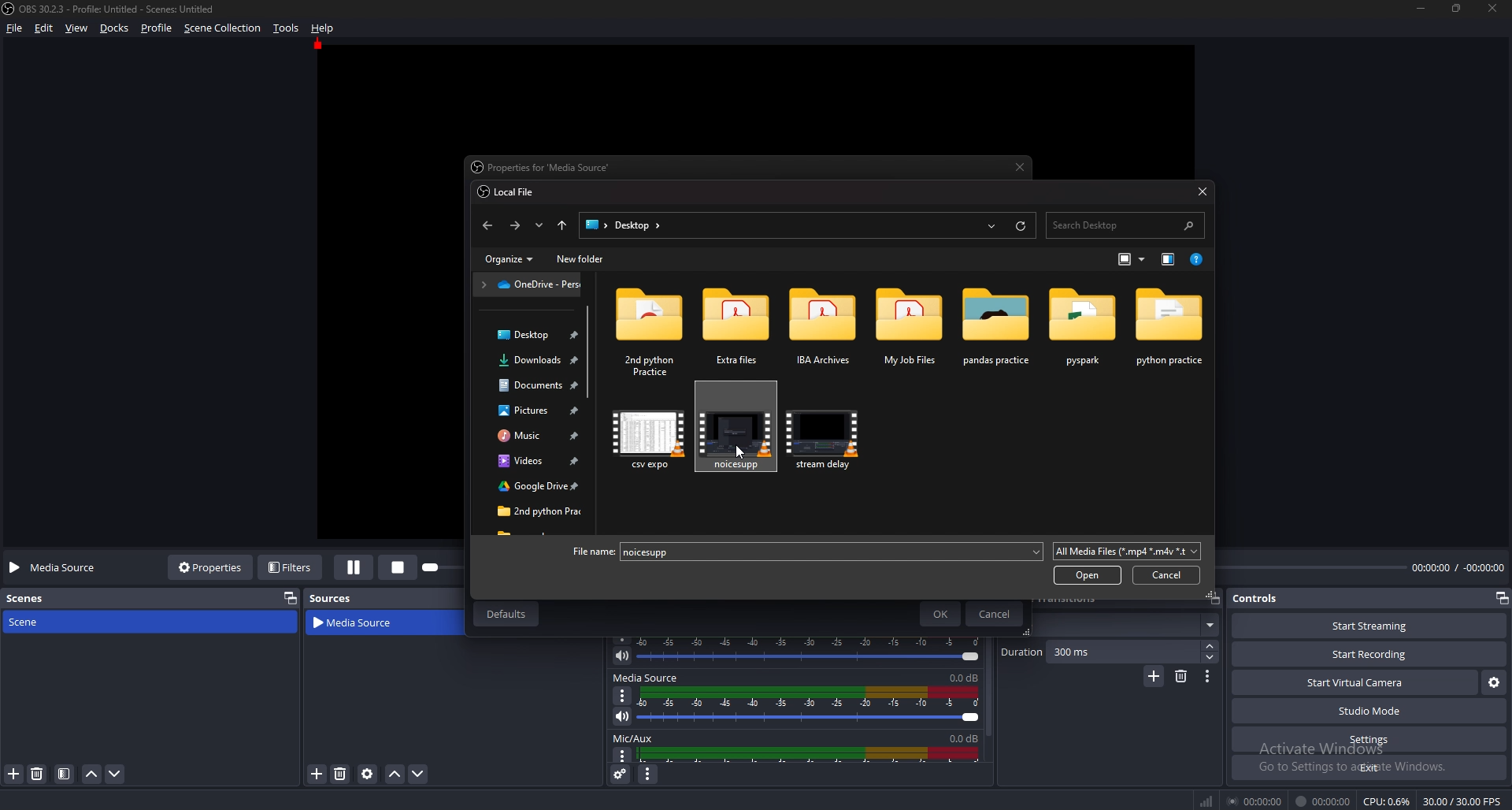  Describe the element at coordinates (534, 411) in the screenshot. I see `folder` at that location.